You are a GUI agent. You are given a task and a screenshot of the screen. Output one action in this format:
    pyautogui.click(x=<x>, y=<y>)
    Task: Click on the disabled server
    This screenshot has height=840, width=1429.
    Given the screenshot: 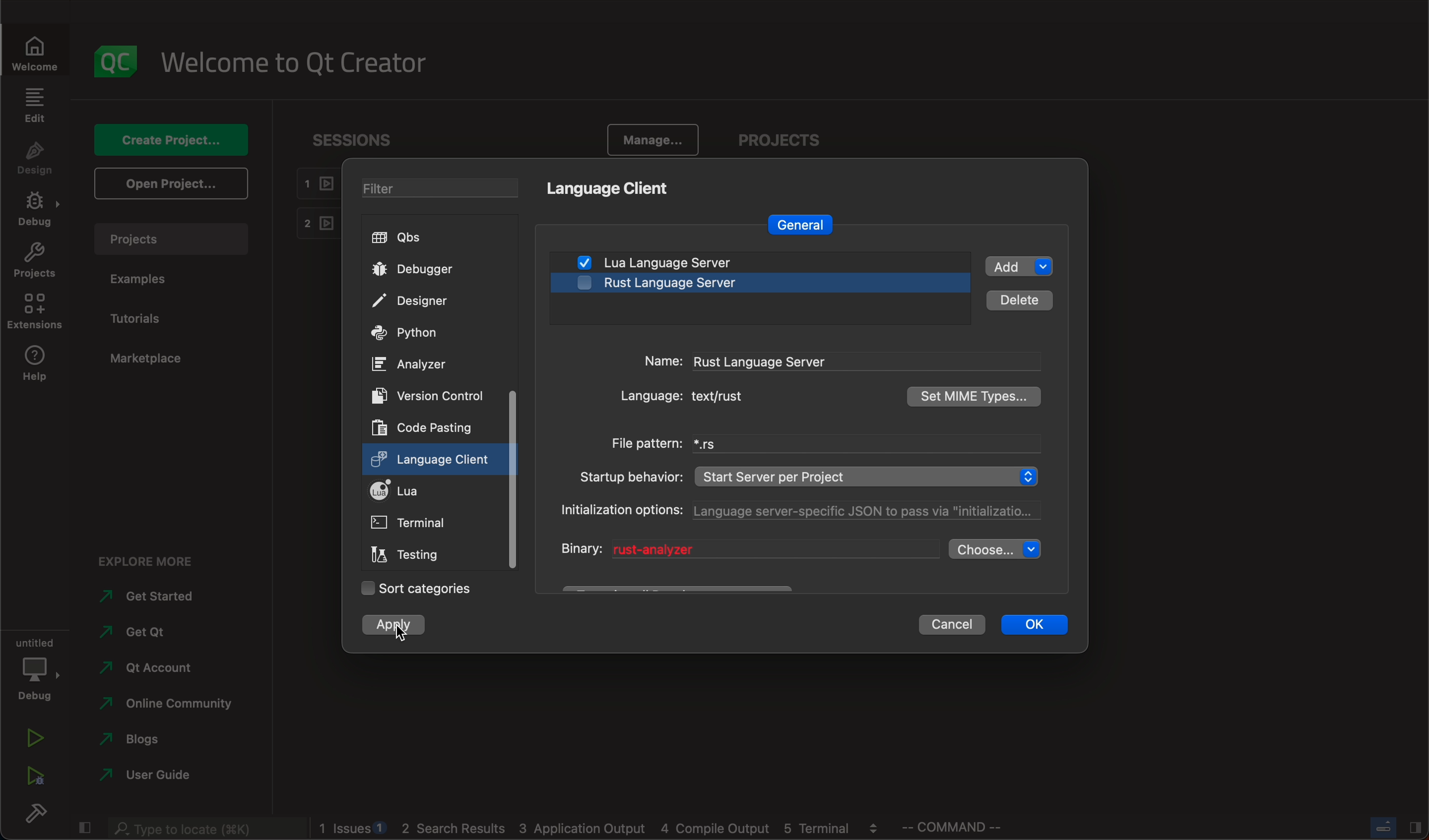 What is the action you would take?
    pyautogui.click(x=754, y=286)
    